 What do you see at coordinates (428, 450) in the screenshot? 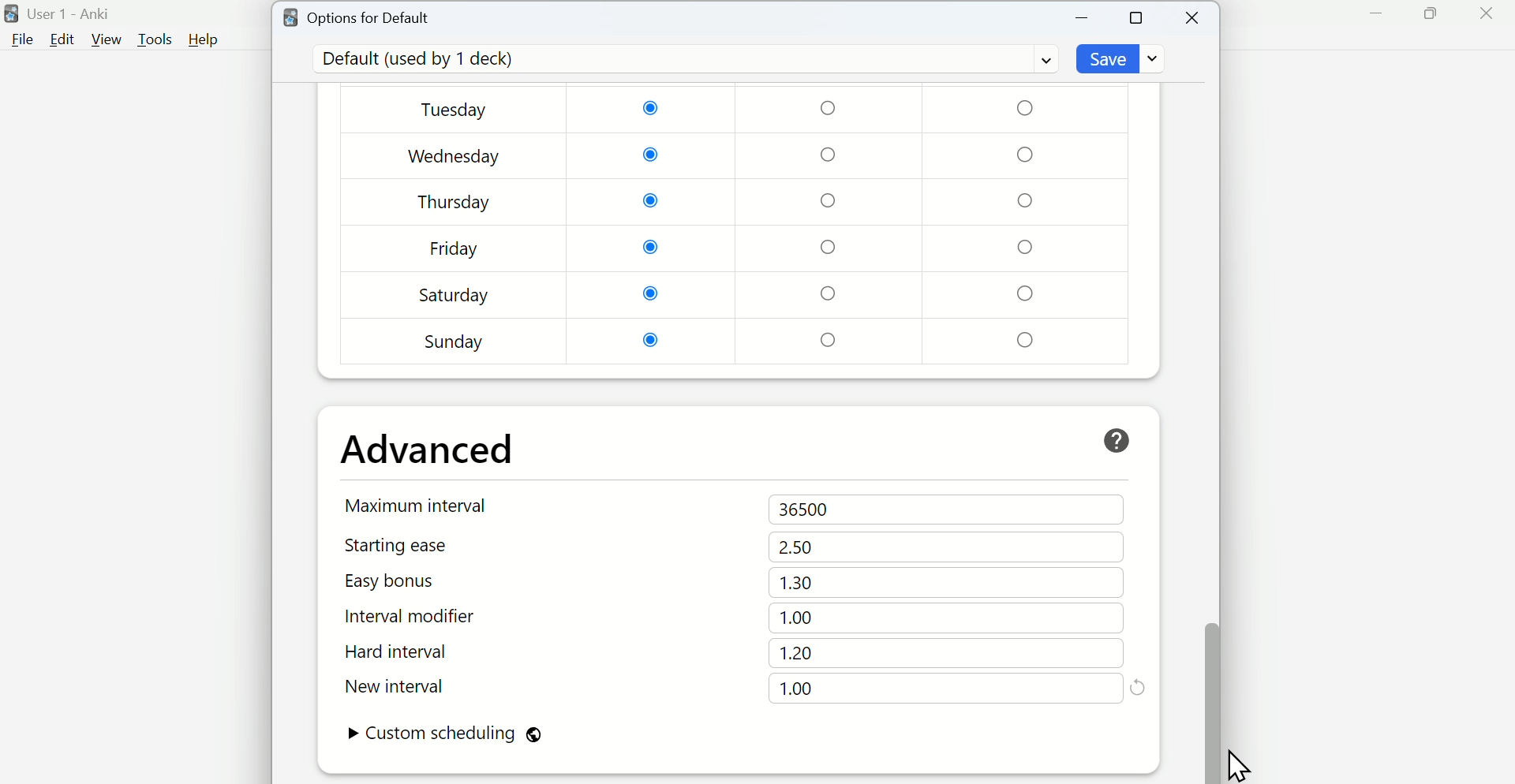
I see `Advanced` at bounding box center [428, 450].